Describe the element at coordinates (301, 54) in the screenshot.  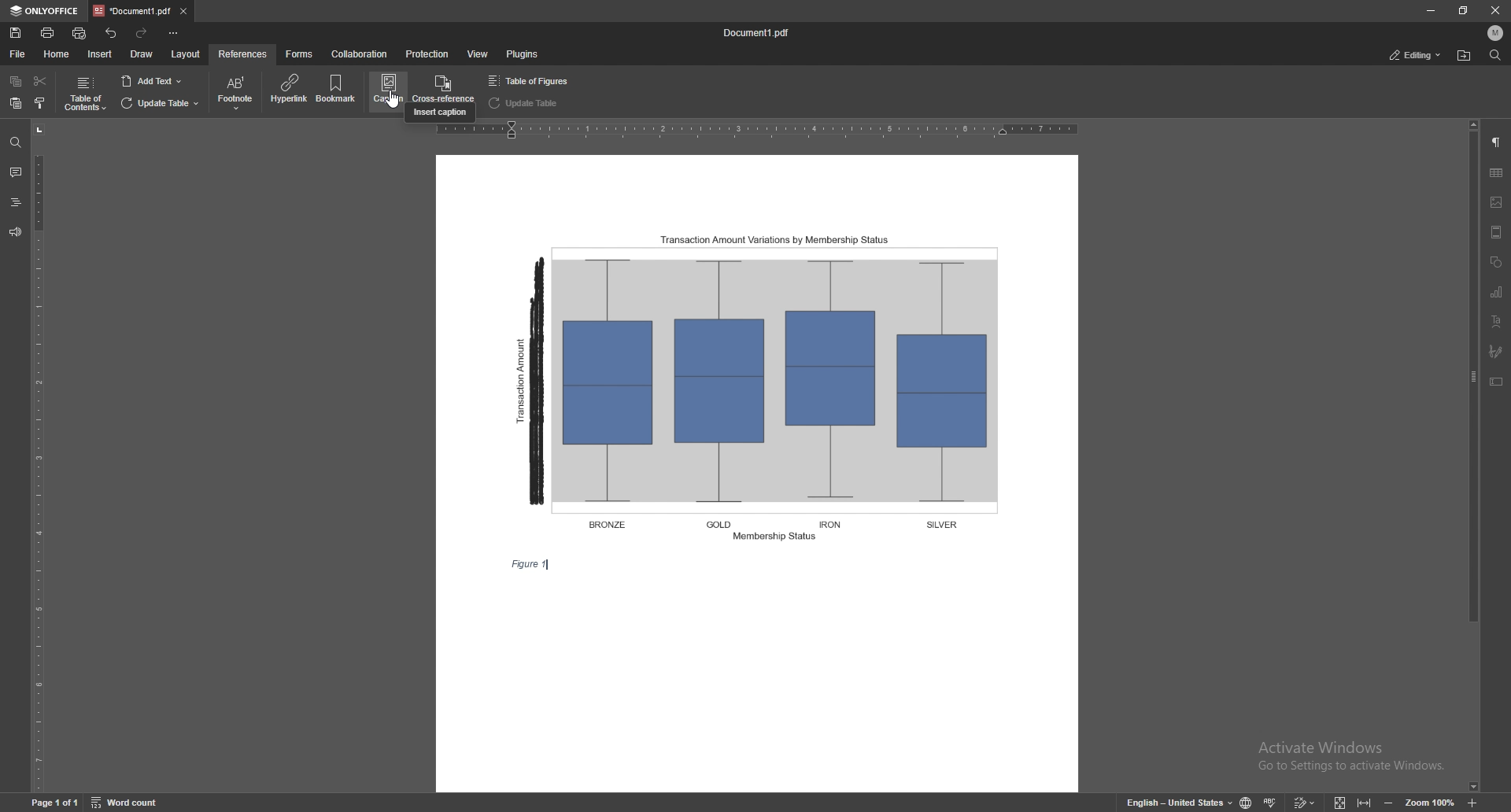
I see `forms` at that location.